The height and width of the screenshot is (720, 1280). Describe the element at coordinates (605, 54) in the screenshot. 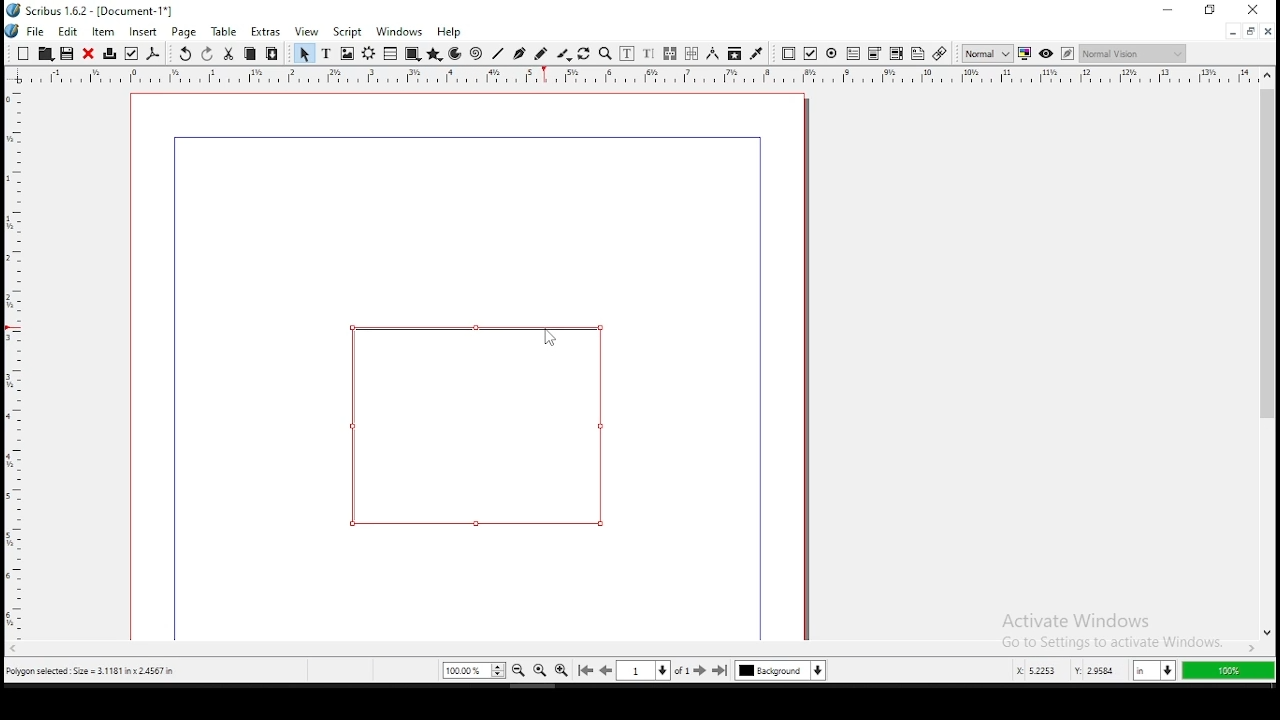

I see `zoom in or out` at that location.